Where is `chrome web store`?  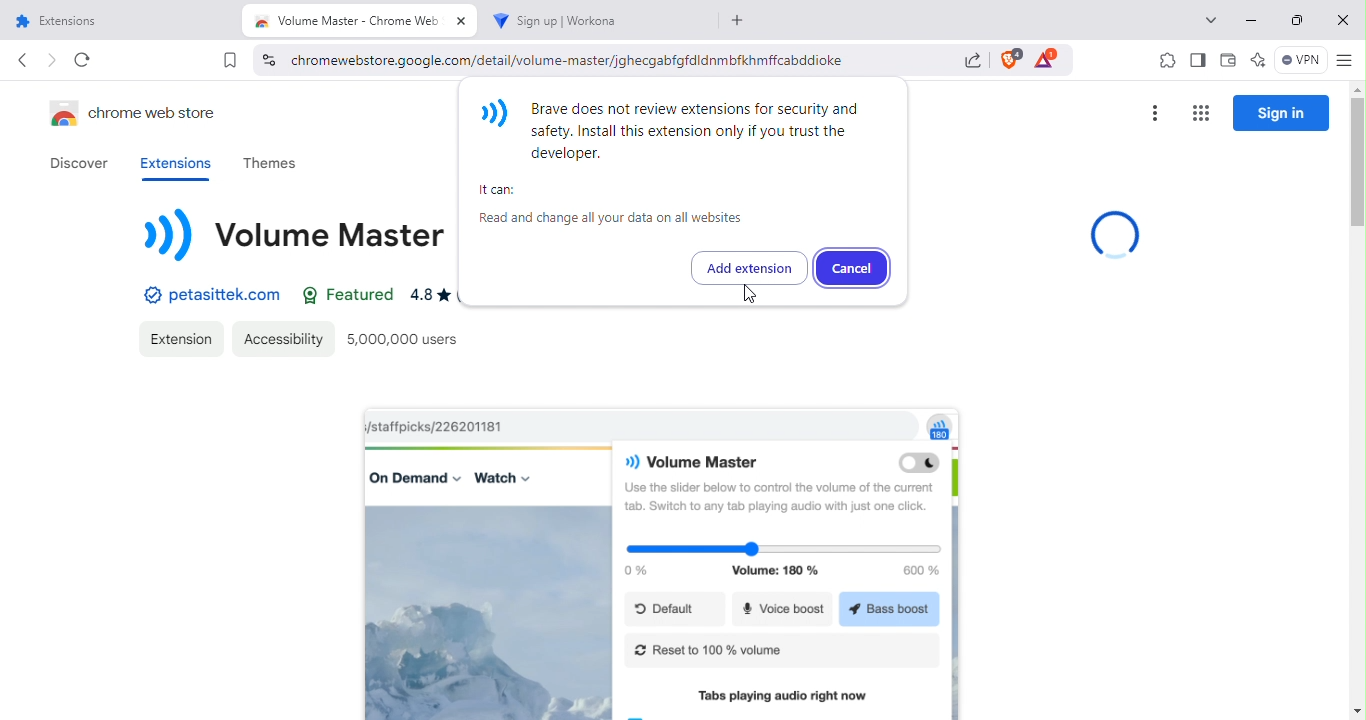 chrome web store is located at coordinates (139, 116).